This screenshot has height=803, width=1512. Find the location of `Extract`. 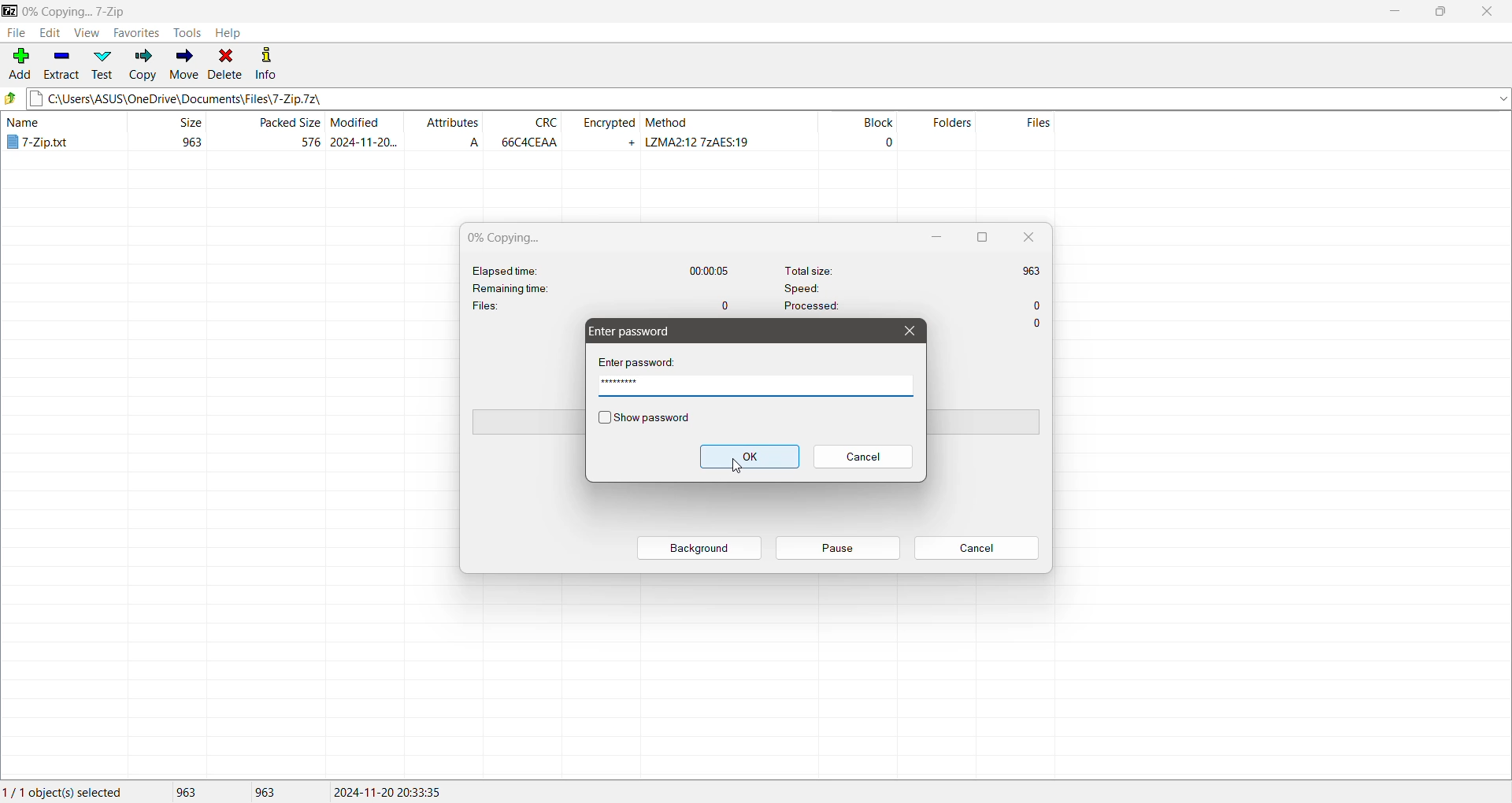

Extract is located at coordinates (61, 65).